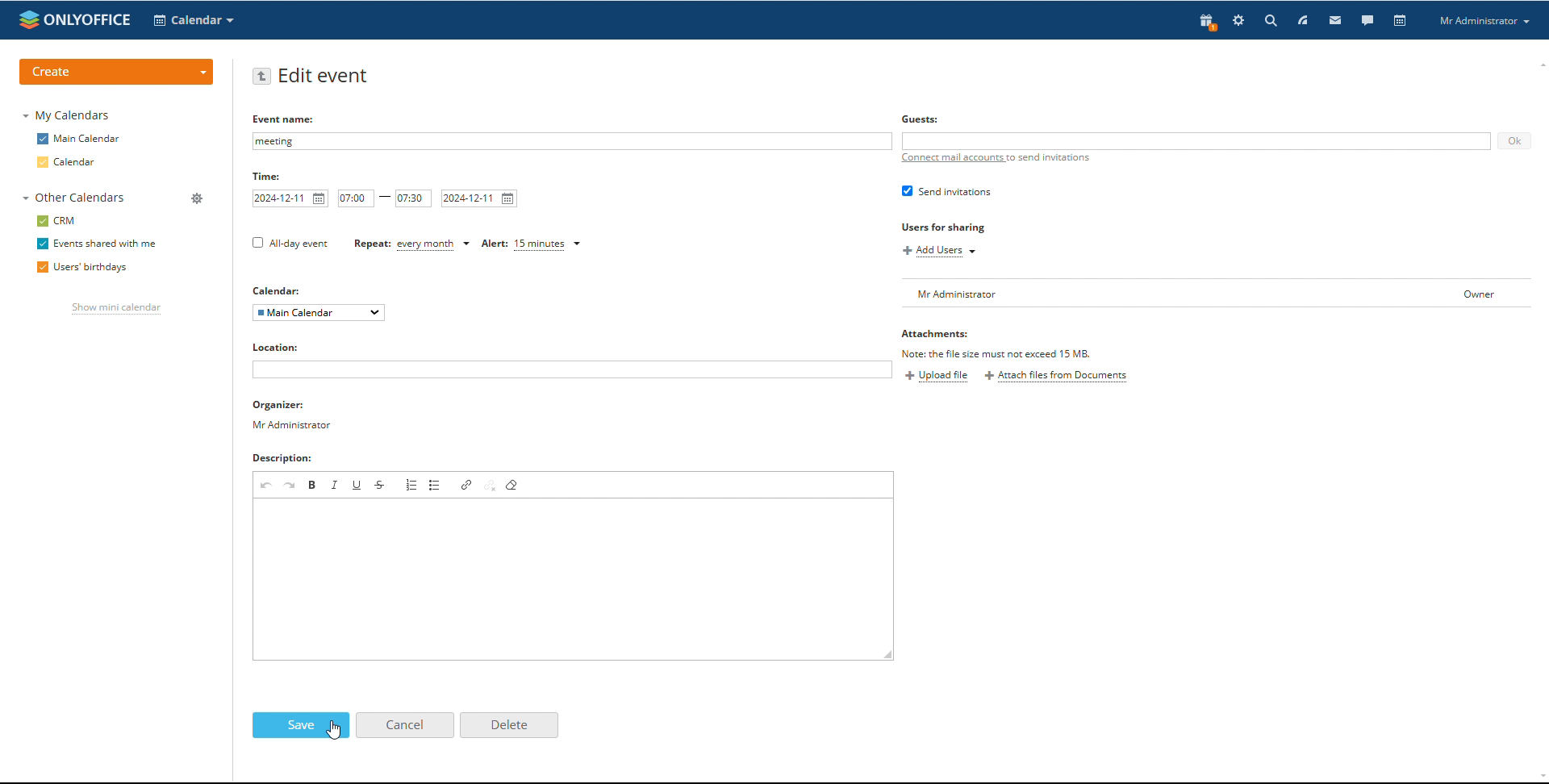 Image resolution: width=1549 pixels, height=784 pixels. I want to click on all-day event checkbox, so click(288, 243).